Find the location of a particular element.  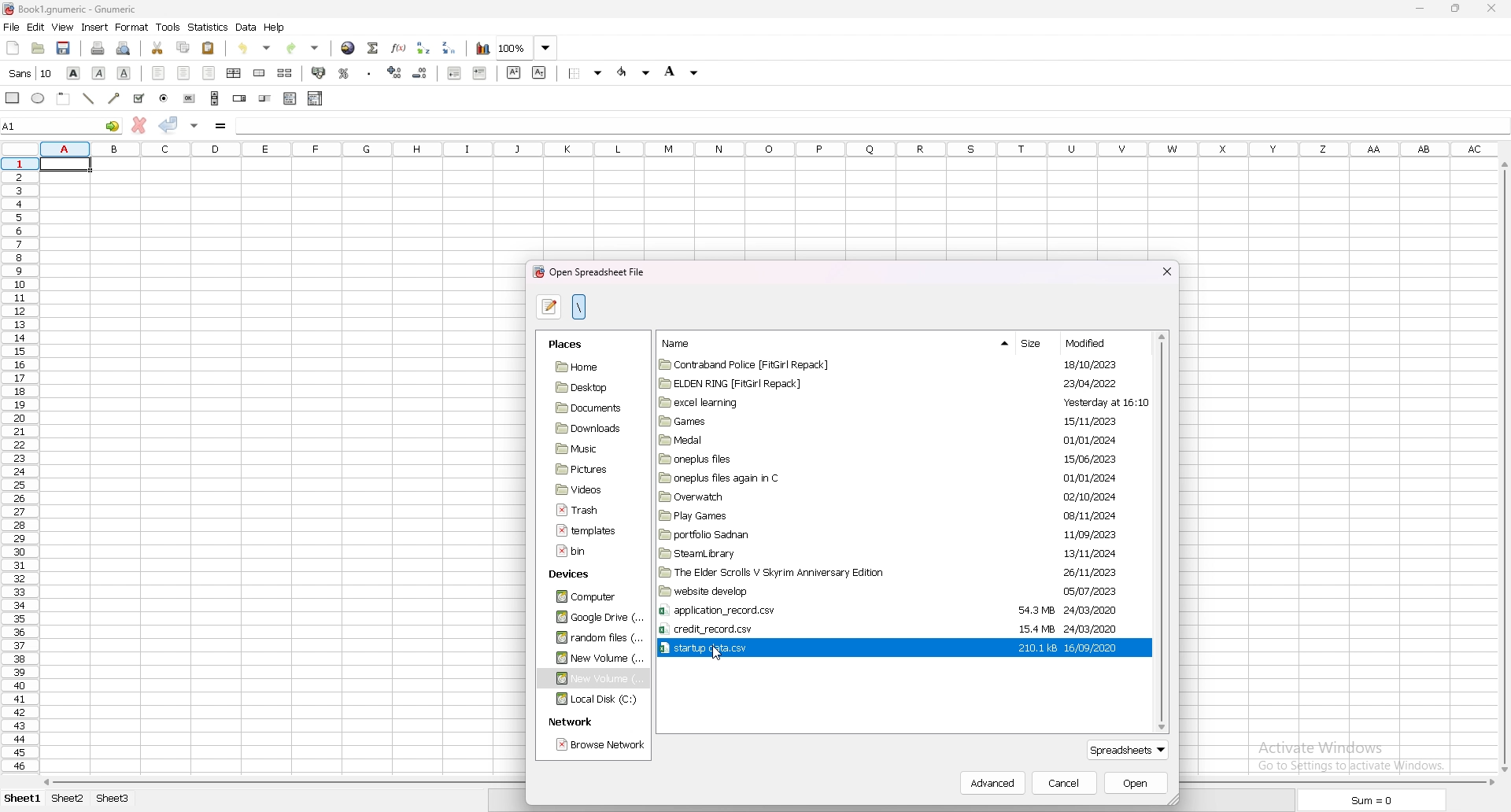

redo is located at coordinates (305, 49).